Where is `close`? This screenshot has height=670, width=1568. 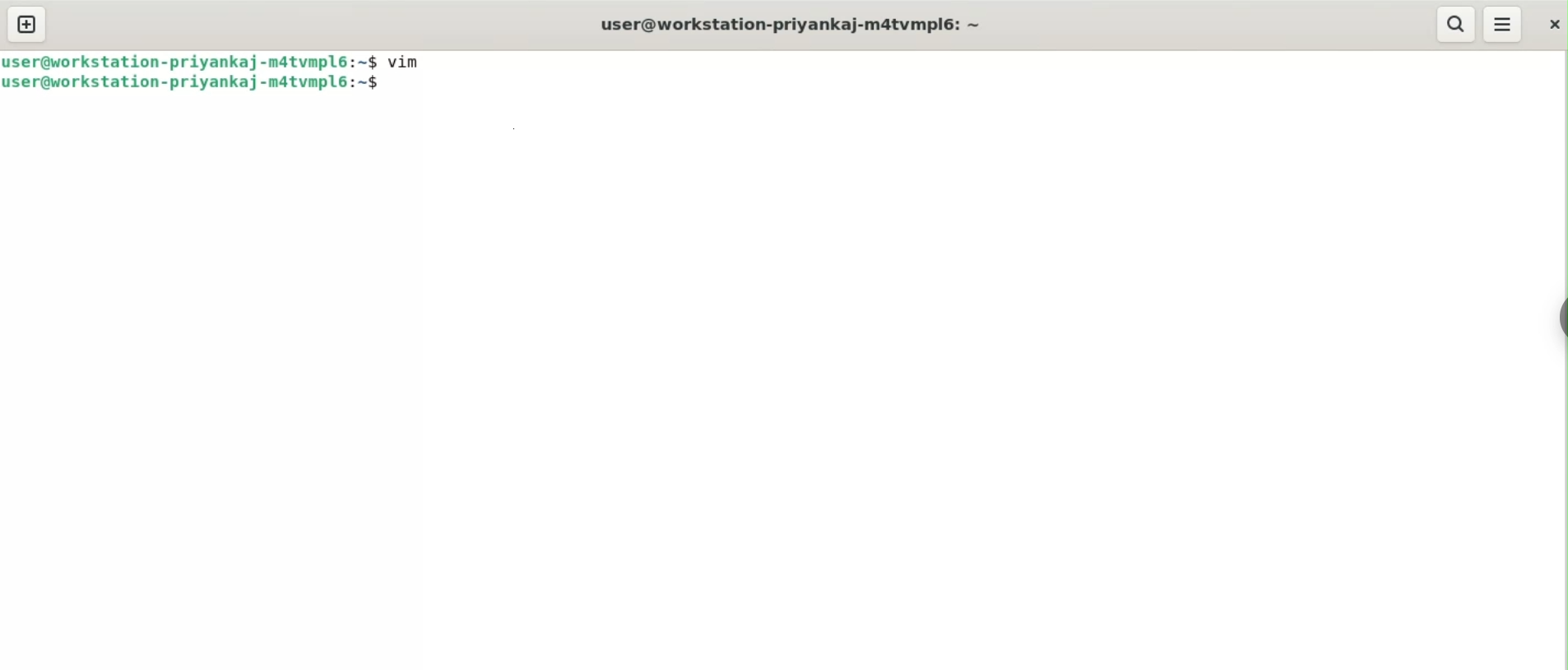
close is located at coordinates (1551, 25).